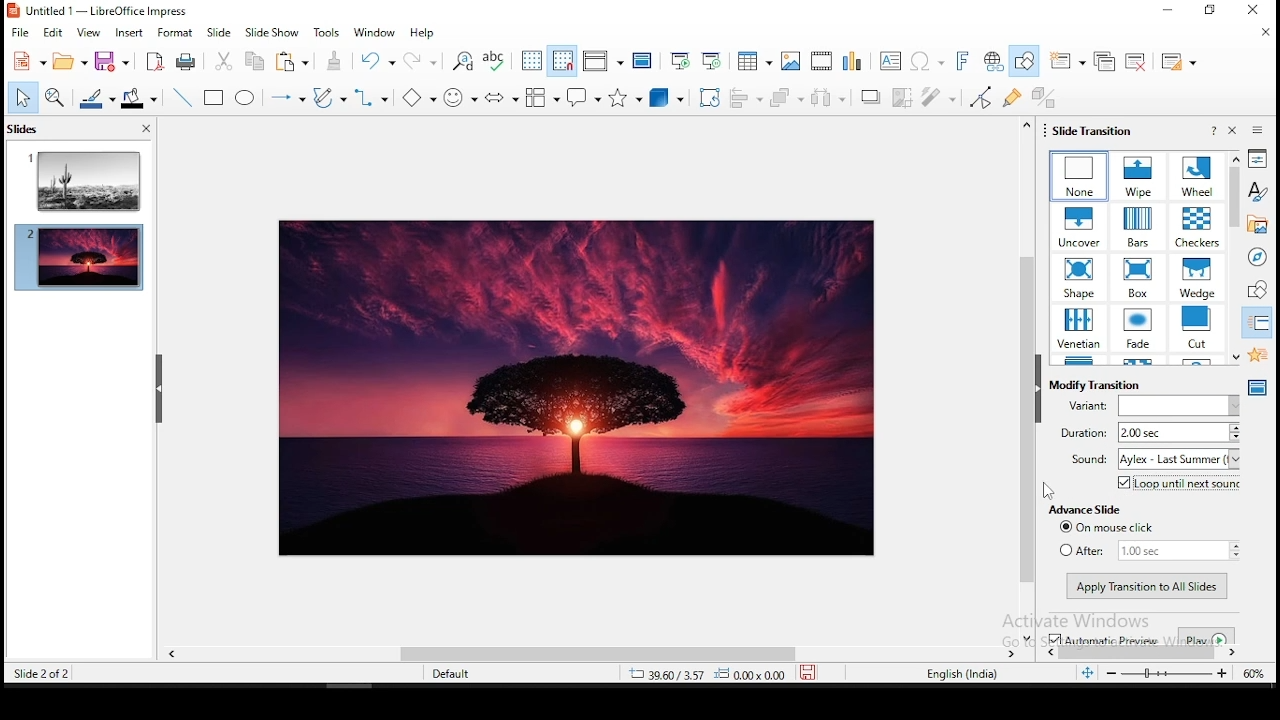 This screenshot has height=720, width=1280. I want to click on paste, so click(293, 63).